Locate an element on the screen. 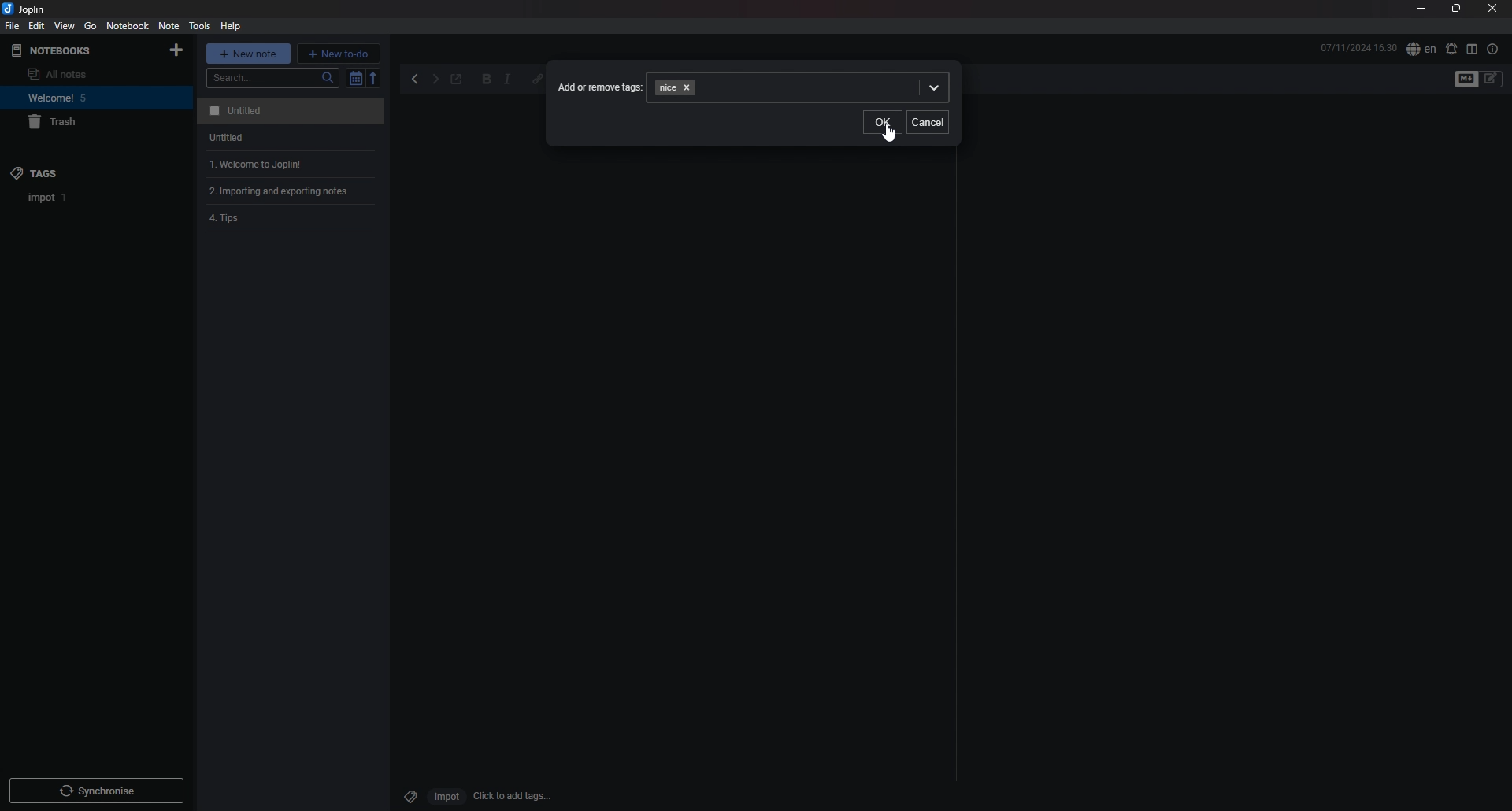  HELP is located at coordinates (231, 26).